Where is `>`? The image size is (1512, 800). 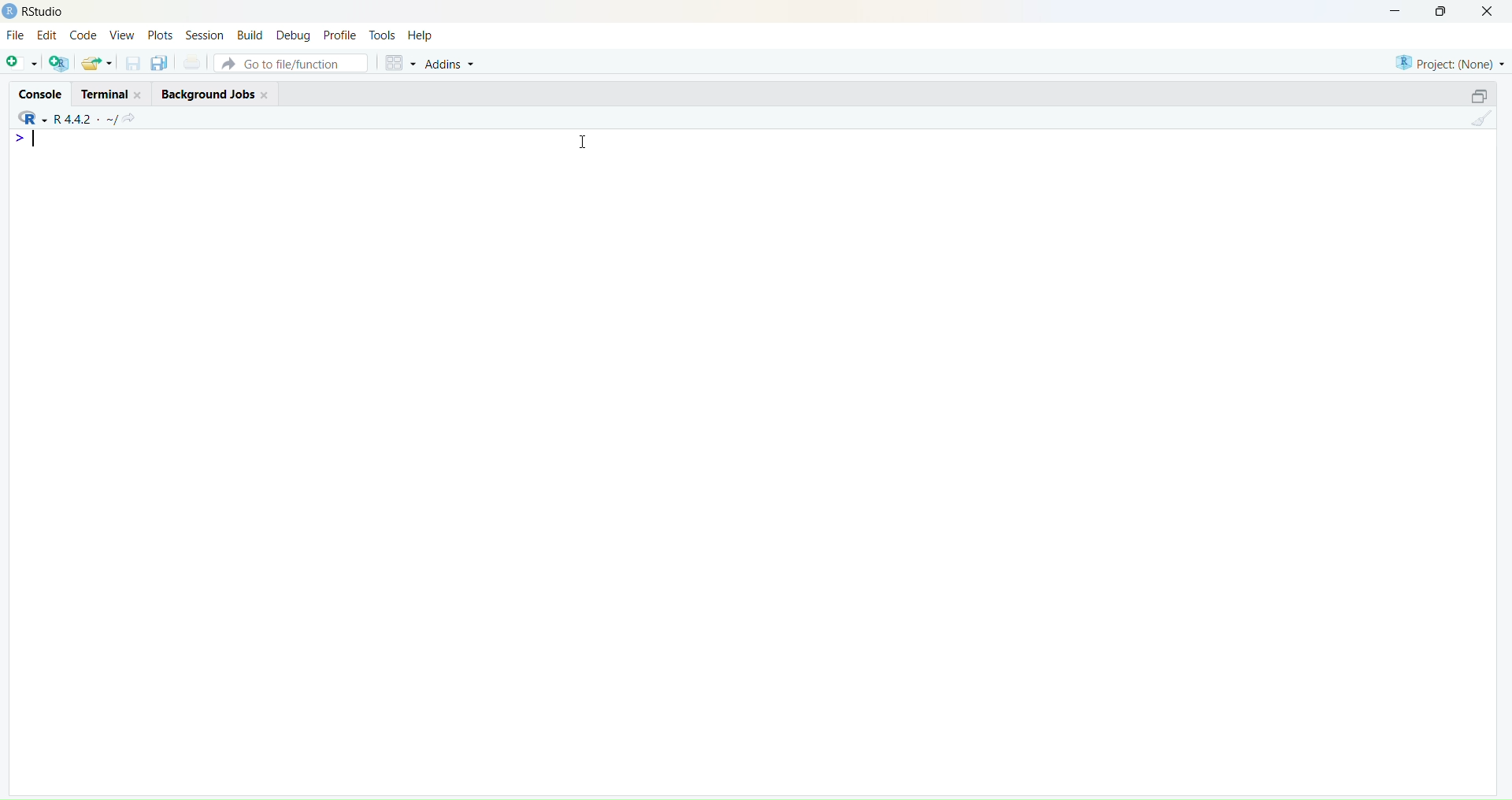 > is located at coordinates (22, 139).